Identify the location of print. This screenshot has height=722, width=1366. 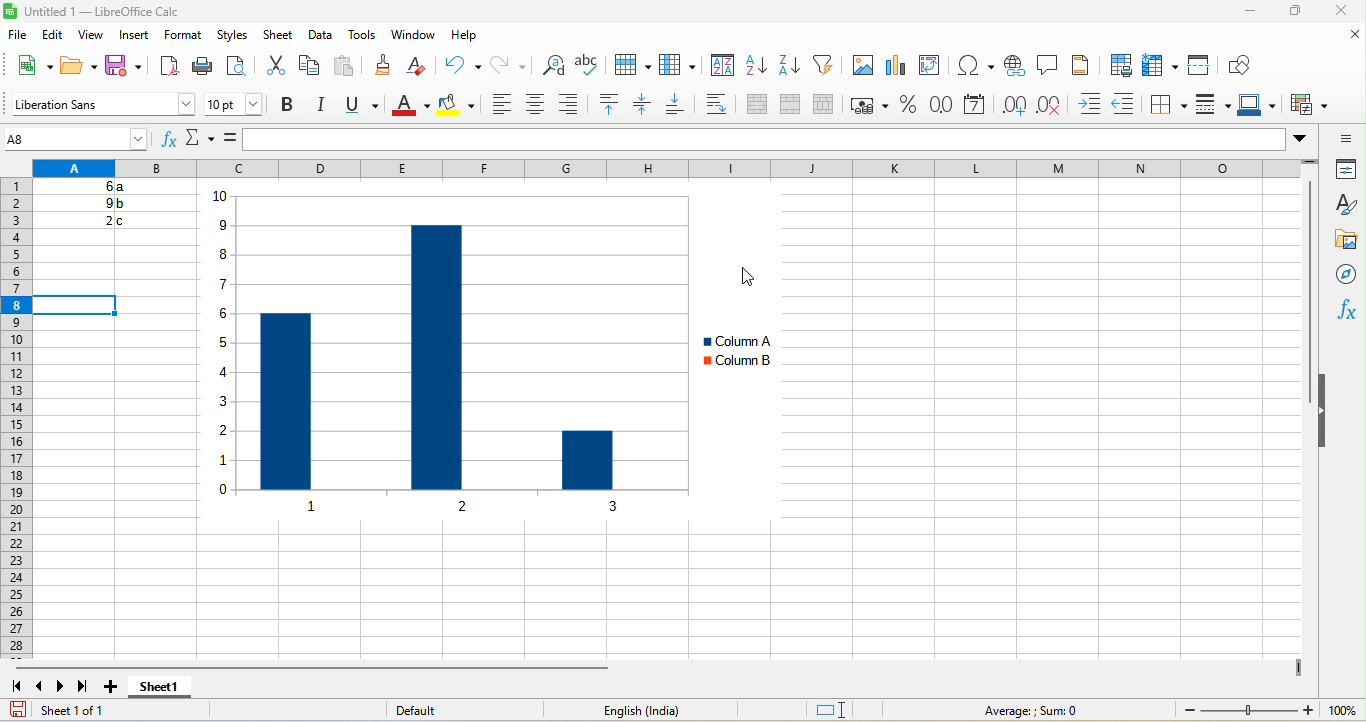
(206, 65).